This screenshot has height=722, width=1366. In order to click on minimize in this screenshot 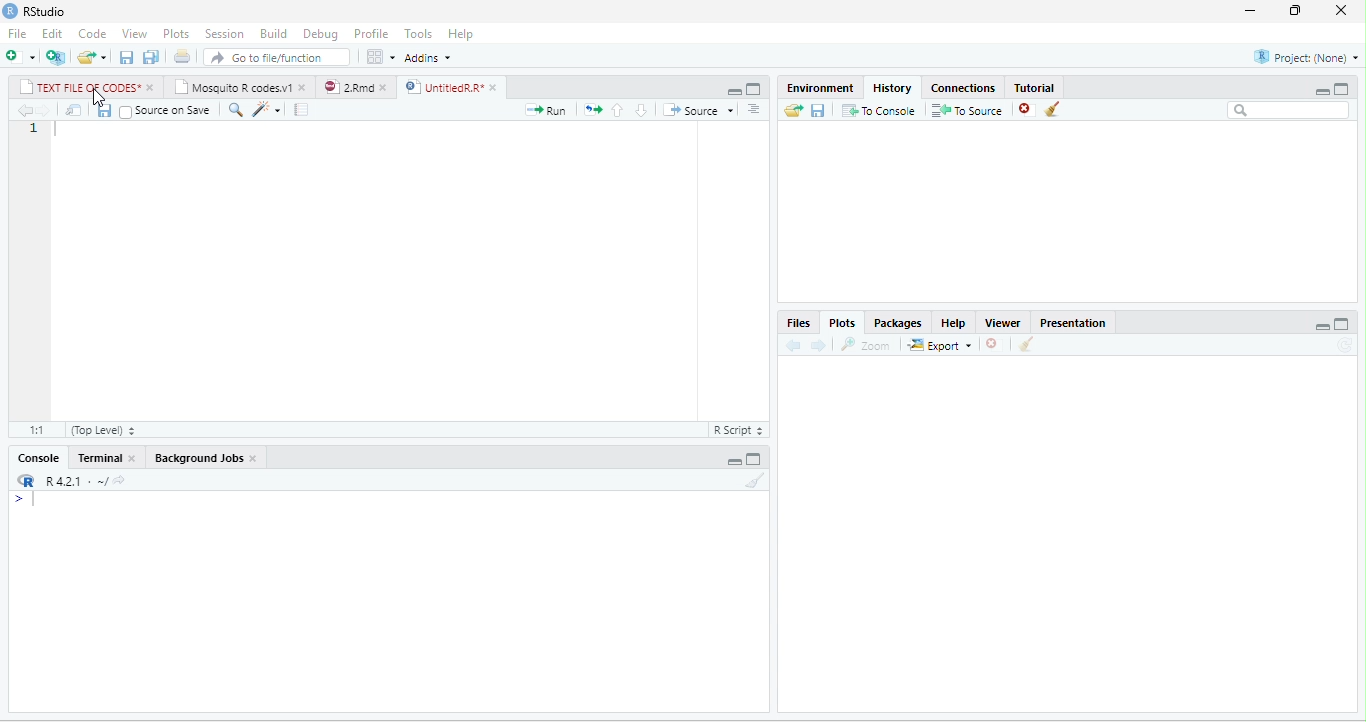, I will do `click(1249, 12)`.